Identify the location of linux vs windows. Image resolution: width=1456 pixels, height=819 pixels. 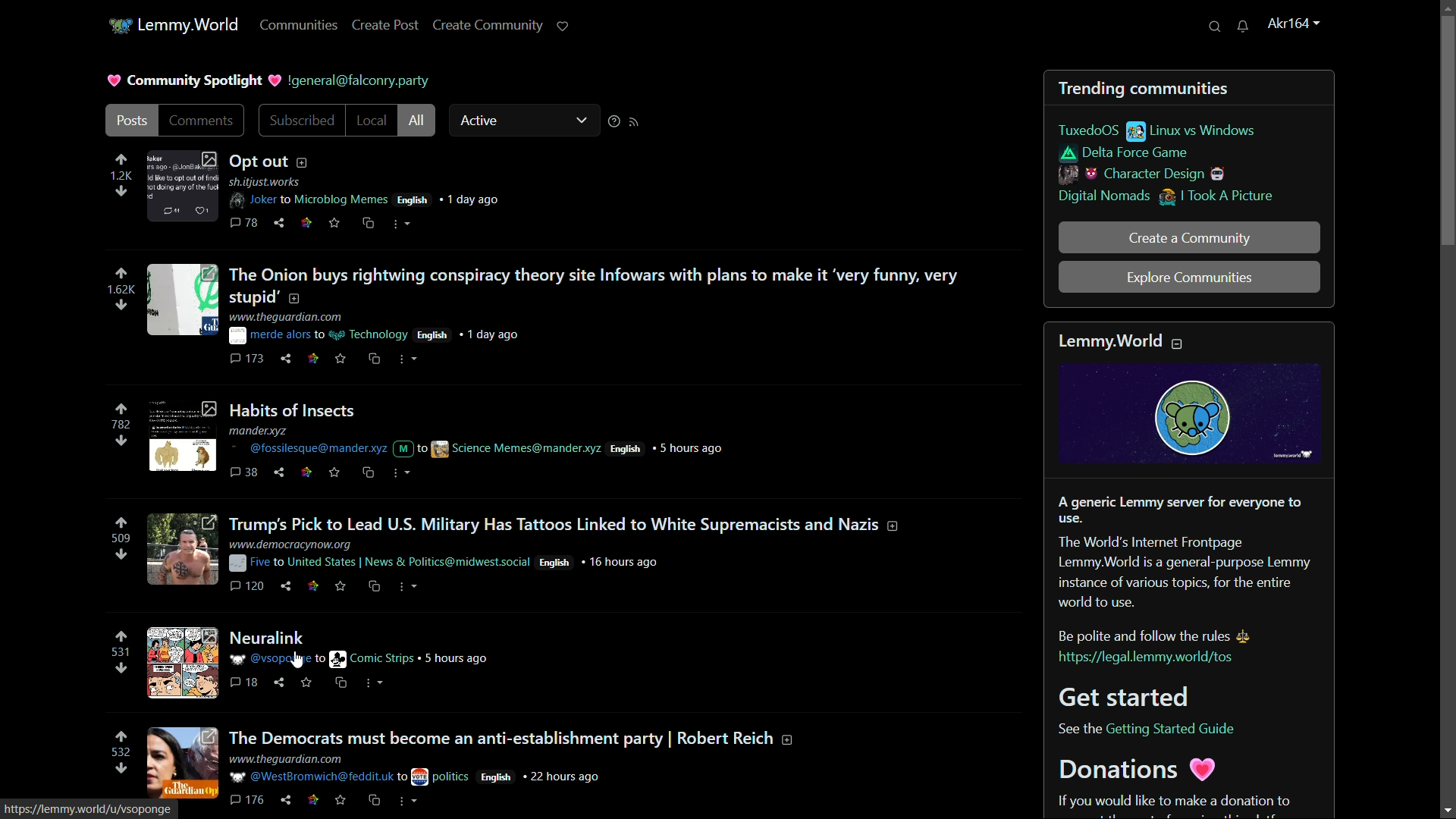
(1195, 132).